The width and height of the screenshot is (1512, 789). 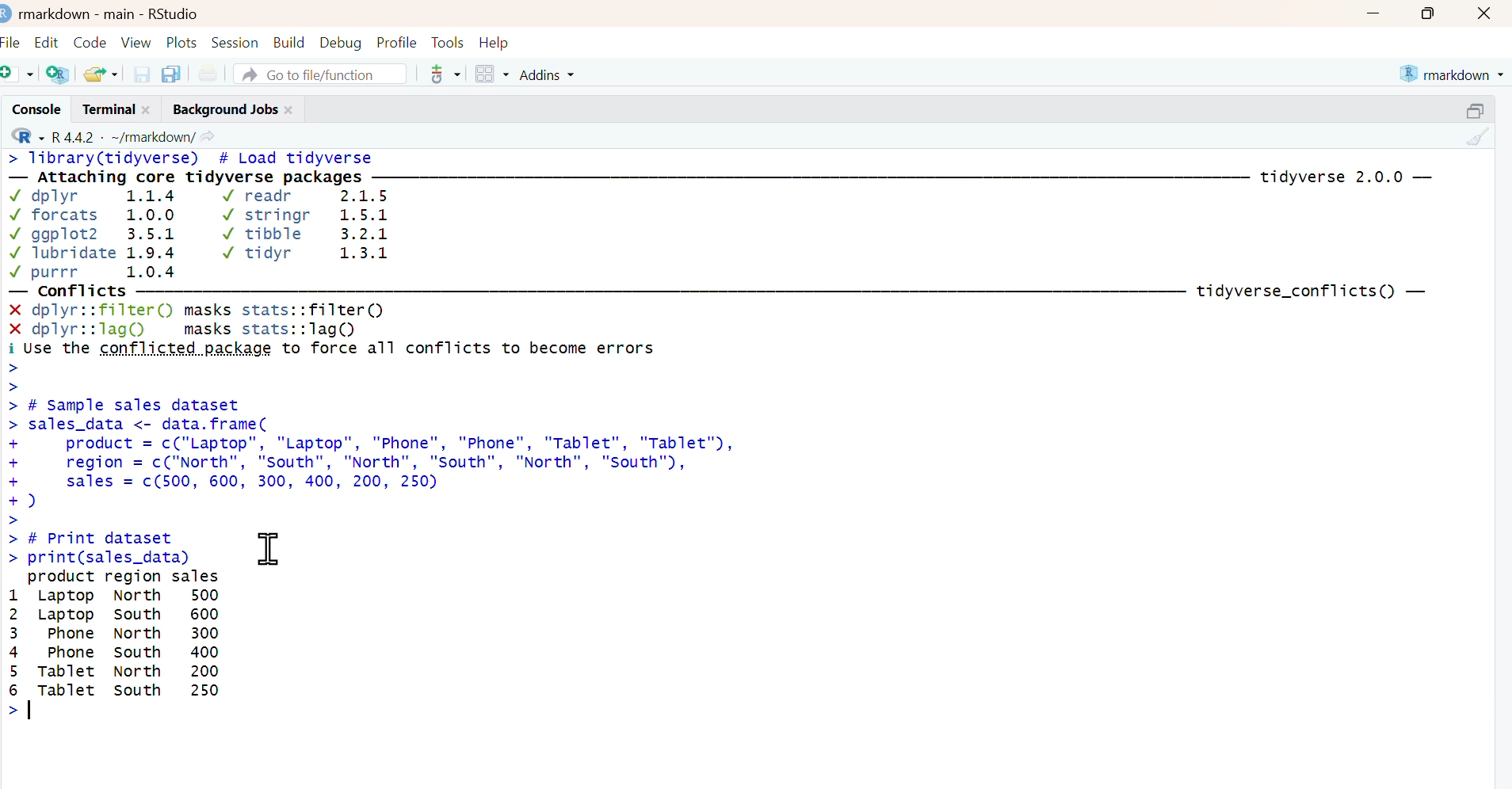 I want to click on clear console, so click(x=1480, y=135).